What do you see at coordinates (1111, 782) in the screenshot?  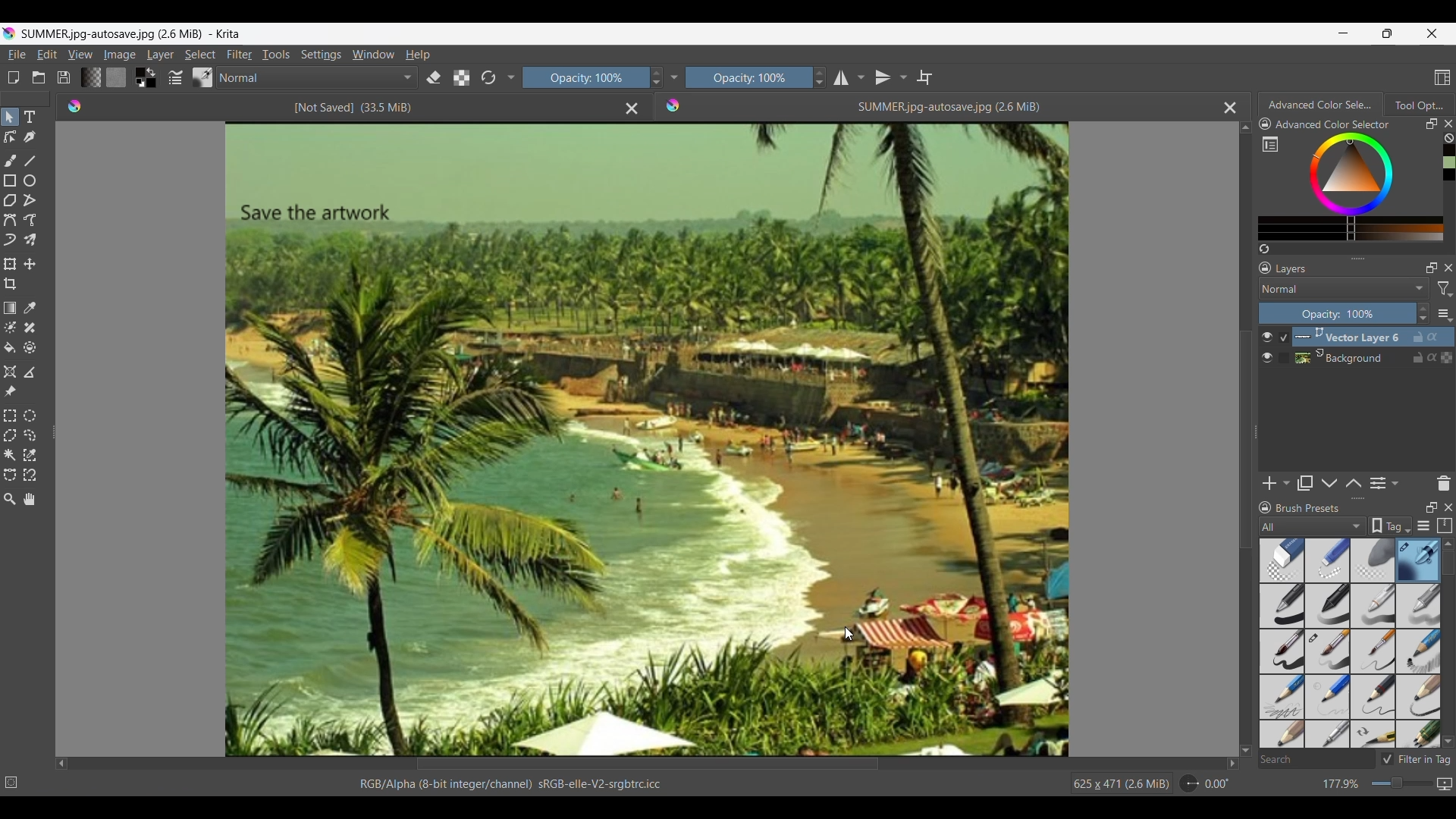 I see `625 x 471 (26 MiB)` at bounding box center [1111, 782].